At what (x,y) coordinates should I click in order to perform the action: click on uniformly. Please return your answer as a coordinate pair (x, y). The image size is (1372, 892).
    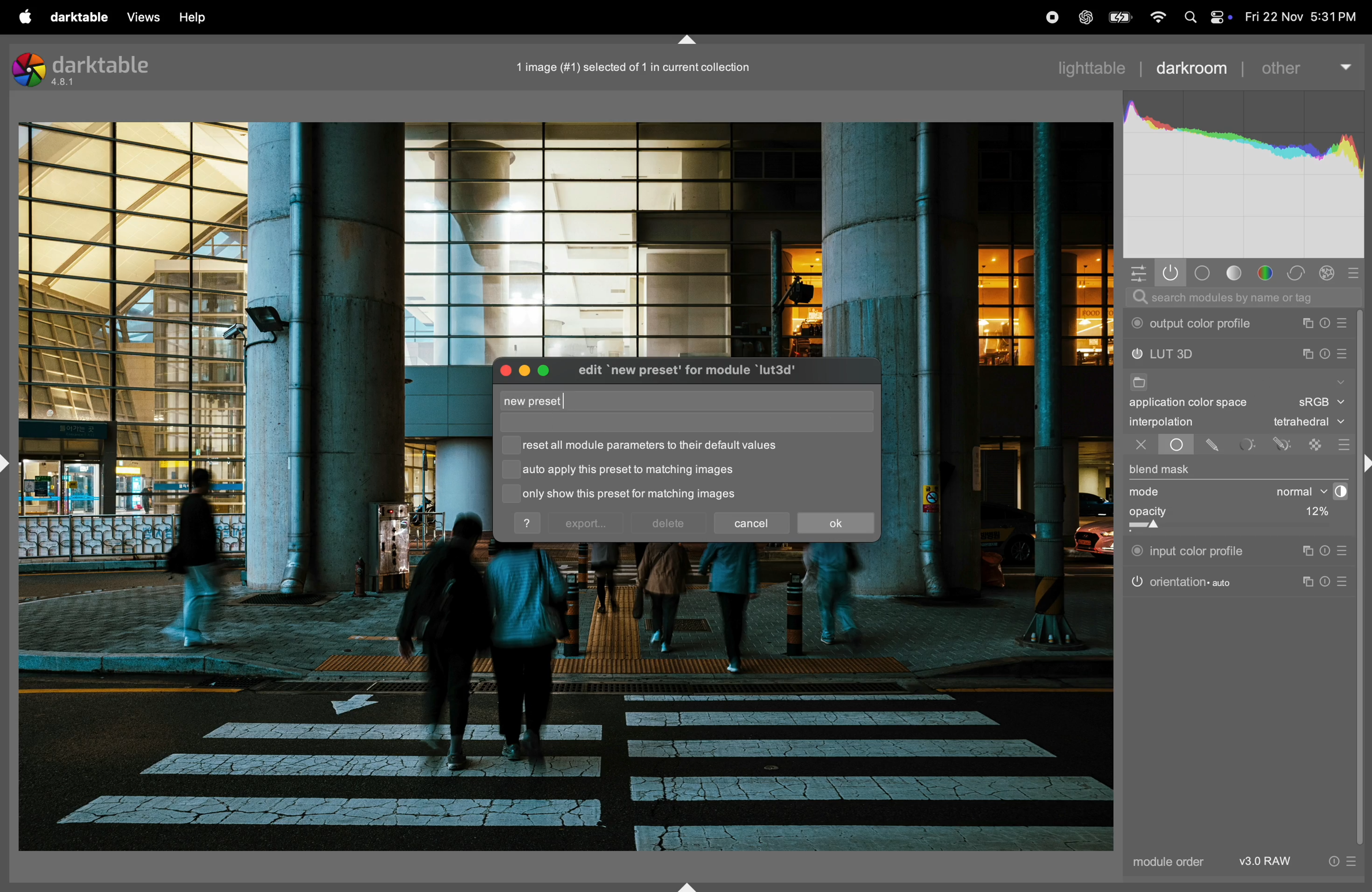
    Looking at the image, I should click on (1166, 445).